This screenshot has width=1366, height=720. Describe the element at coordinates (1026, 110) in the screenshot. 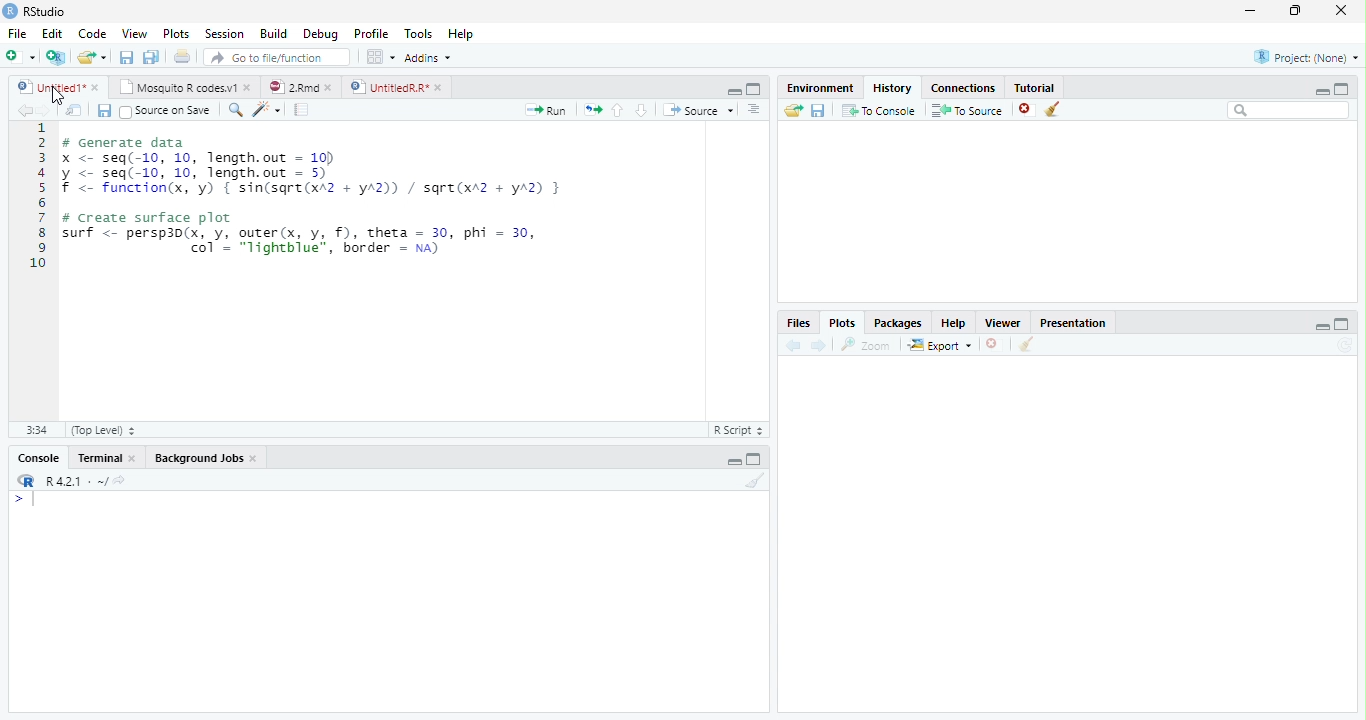

I see `Remove the selected history entries` at that location.